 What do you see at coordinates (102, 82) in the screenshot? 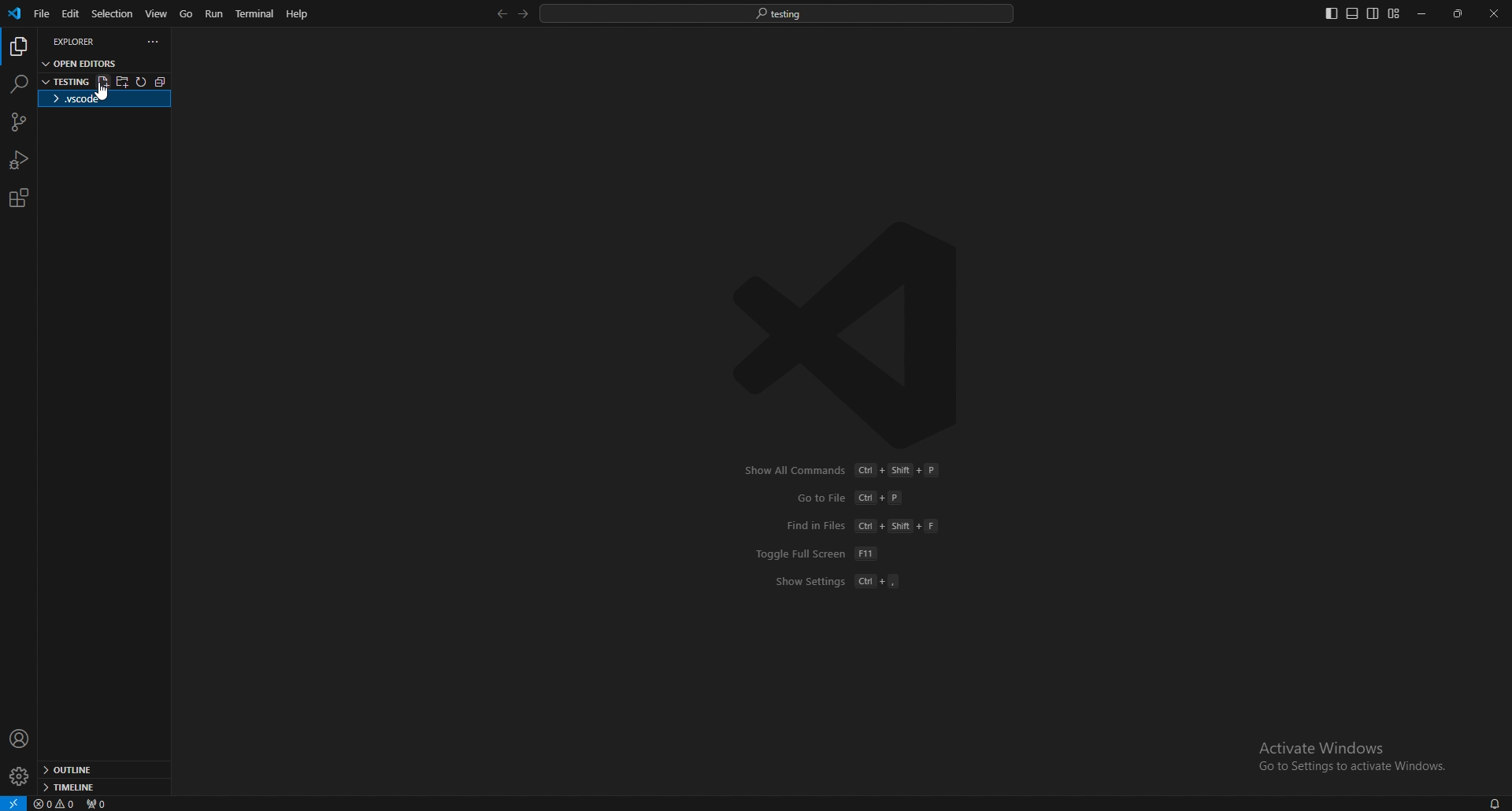
I see `new file` at bounding box center [102, 82].